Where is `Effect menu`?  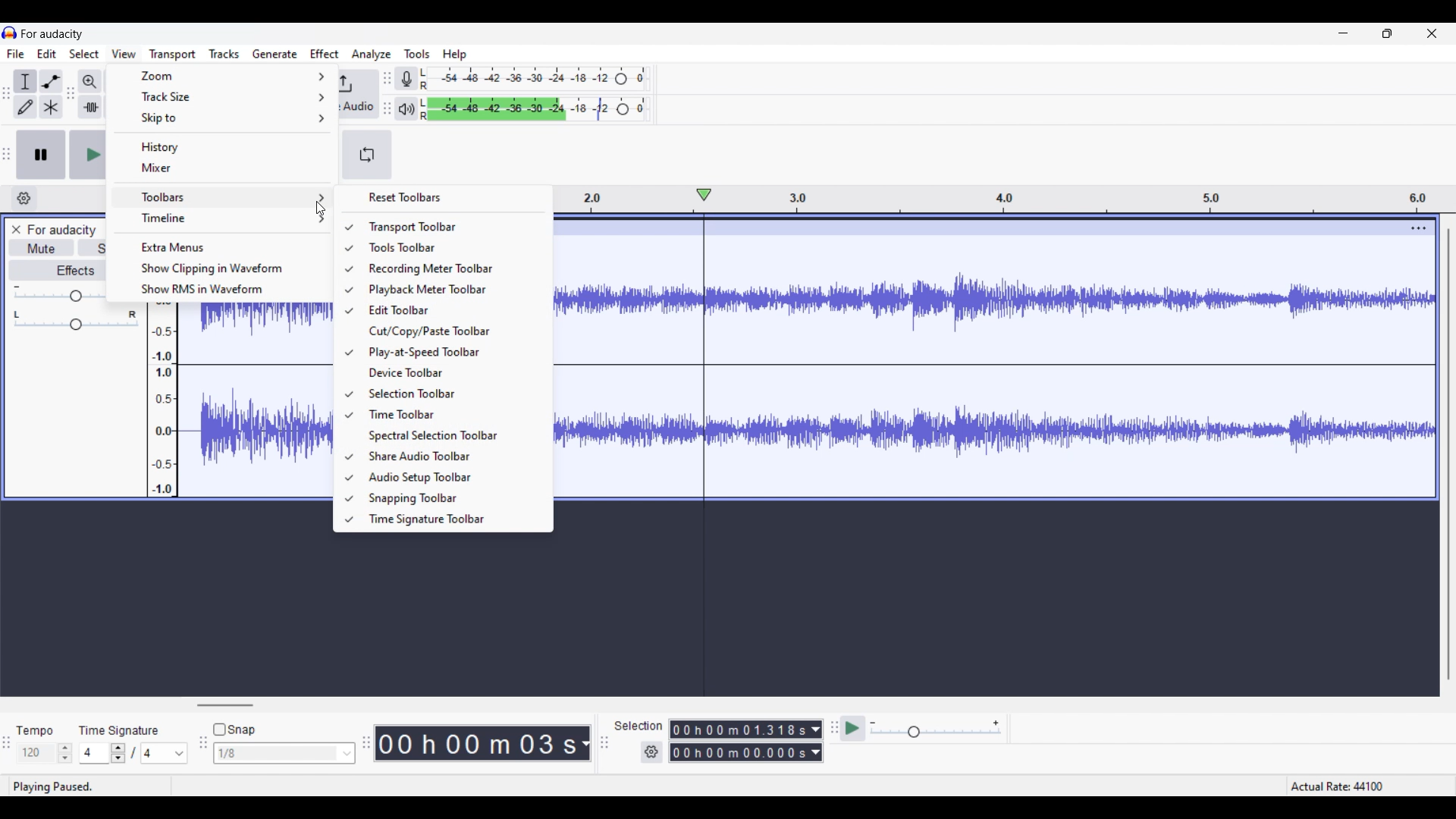 Effect menu is located at coordinates (325, 53).